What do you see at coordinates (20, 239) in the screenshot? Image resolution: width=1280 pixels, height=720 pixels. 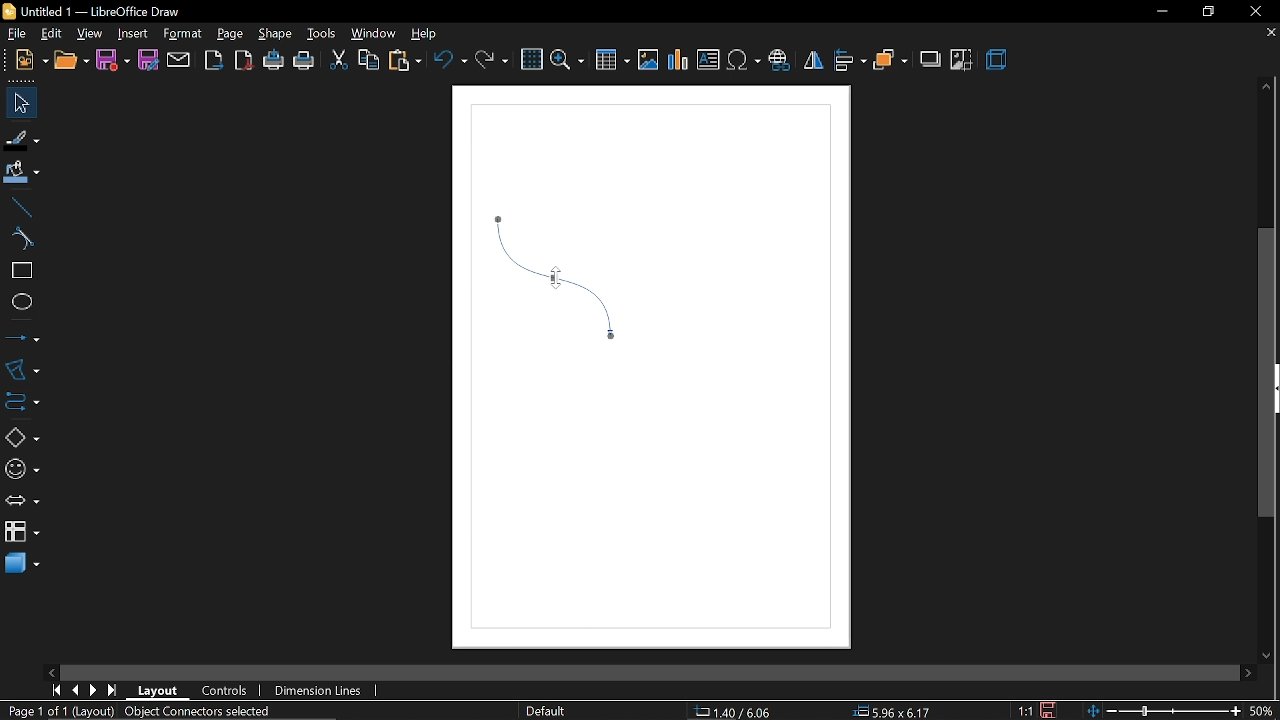 I see `curve` at bounding box center [20, 239].